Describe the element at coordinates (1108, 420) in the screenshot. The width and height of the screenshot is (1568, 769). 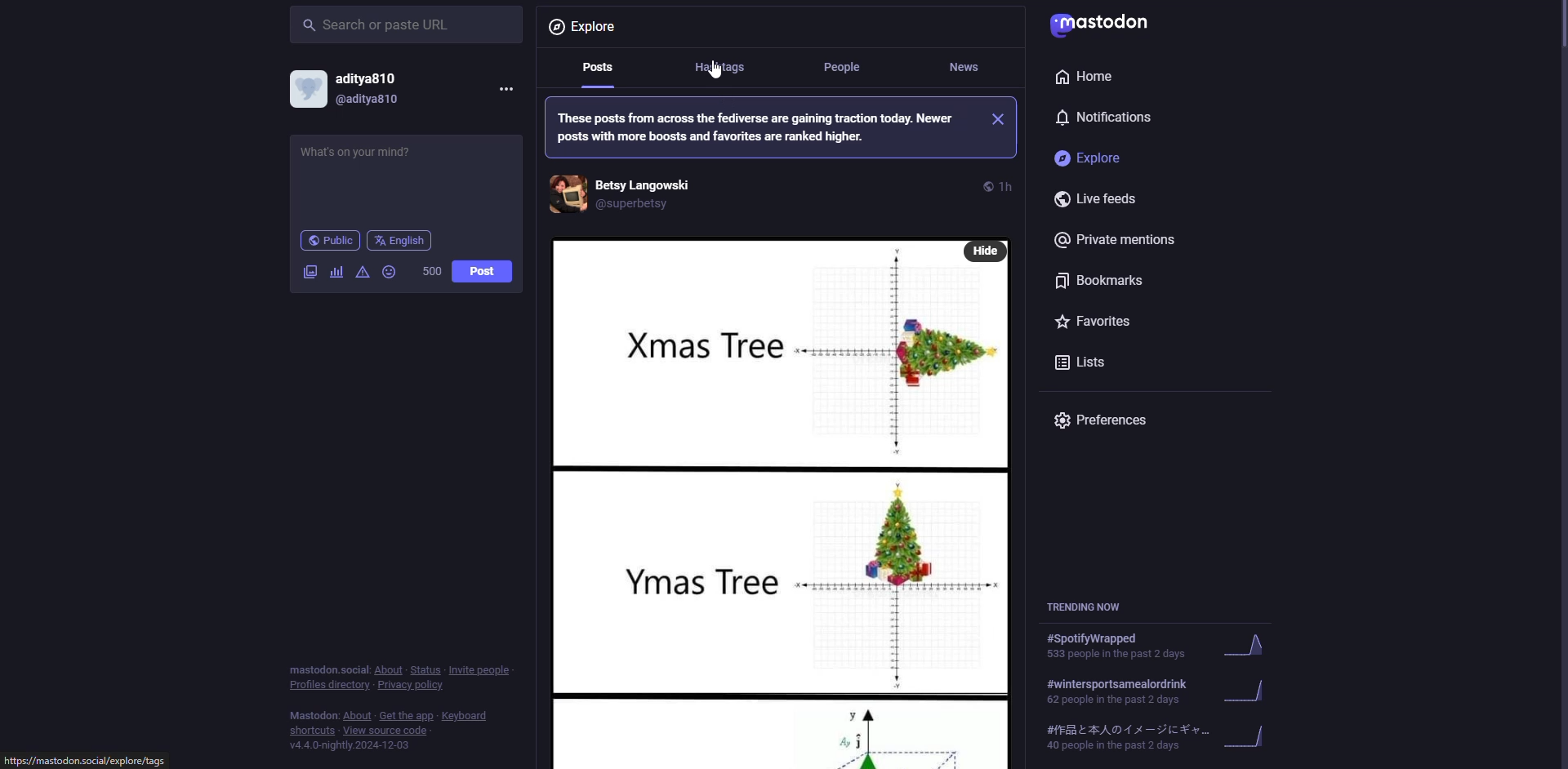
I see `preferences` at that location.